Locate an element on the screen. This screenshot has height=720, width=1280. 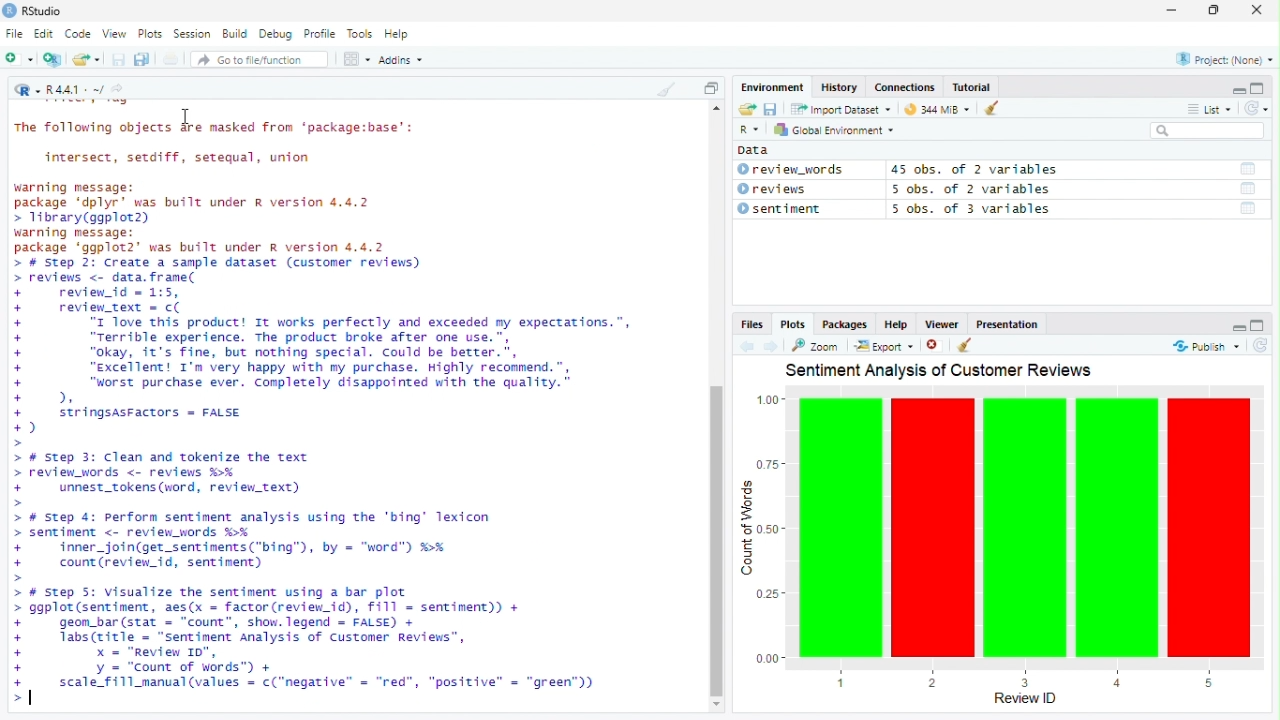
Open is located at coordinates (85, 59).